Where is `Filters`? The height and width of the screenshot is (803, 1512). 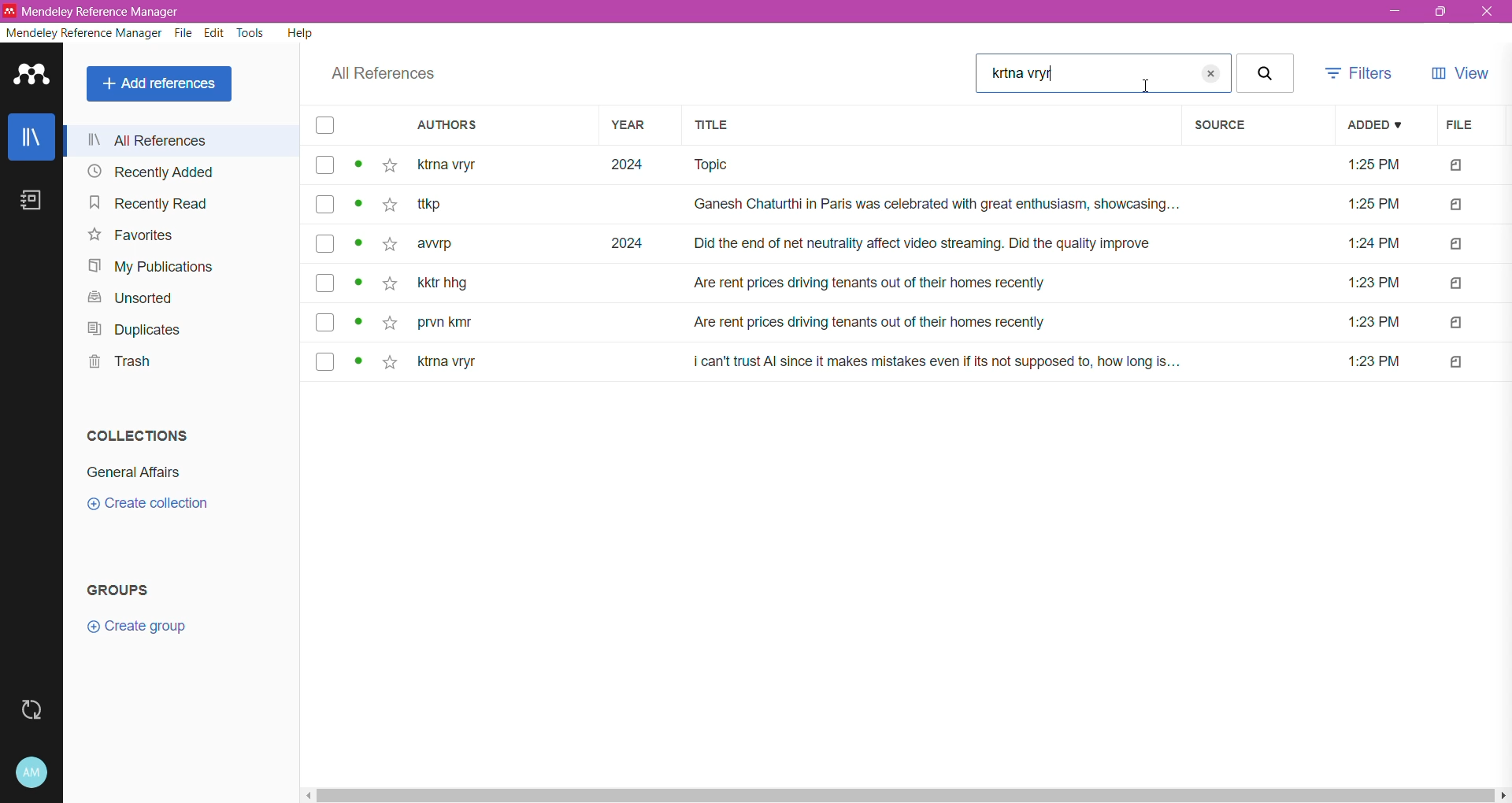
Filters is located at coordinates (1362, 73).